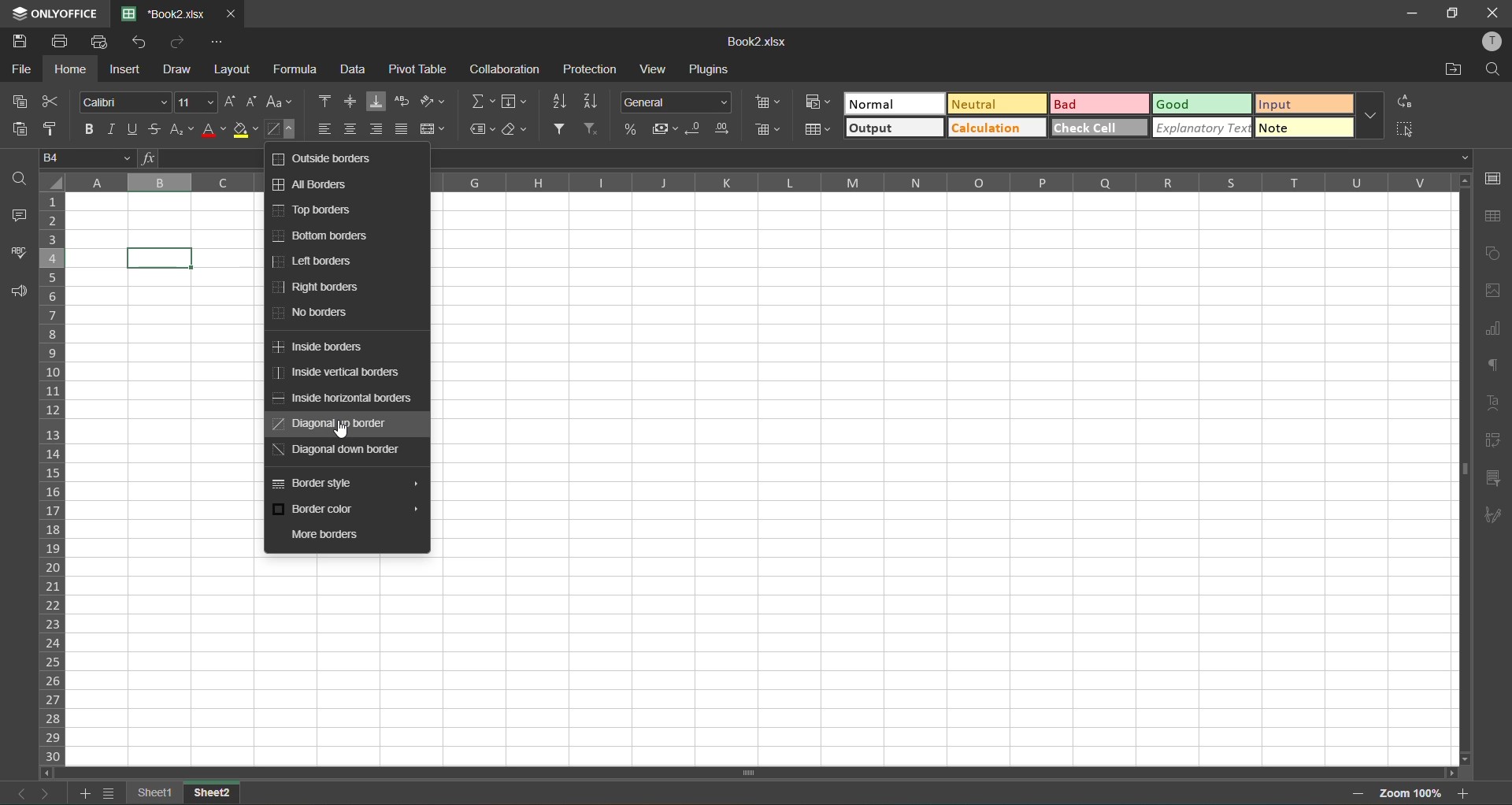 Image resolution: width=1512 pixels, height=805 pixels. Describe the element at coordinates (194, 102) in the screenshot. I see `font size` at that location.